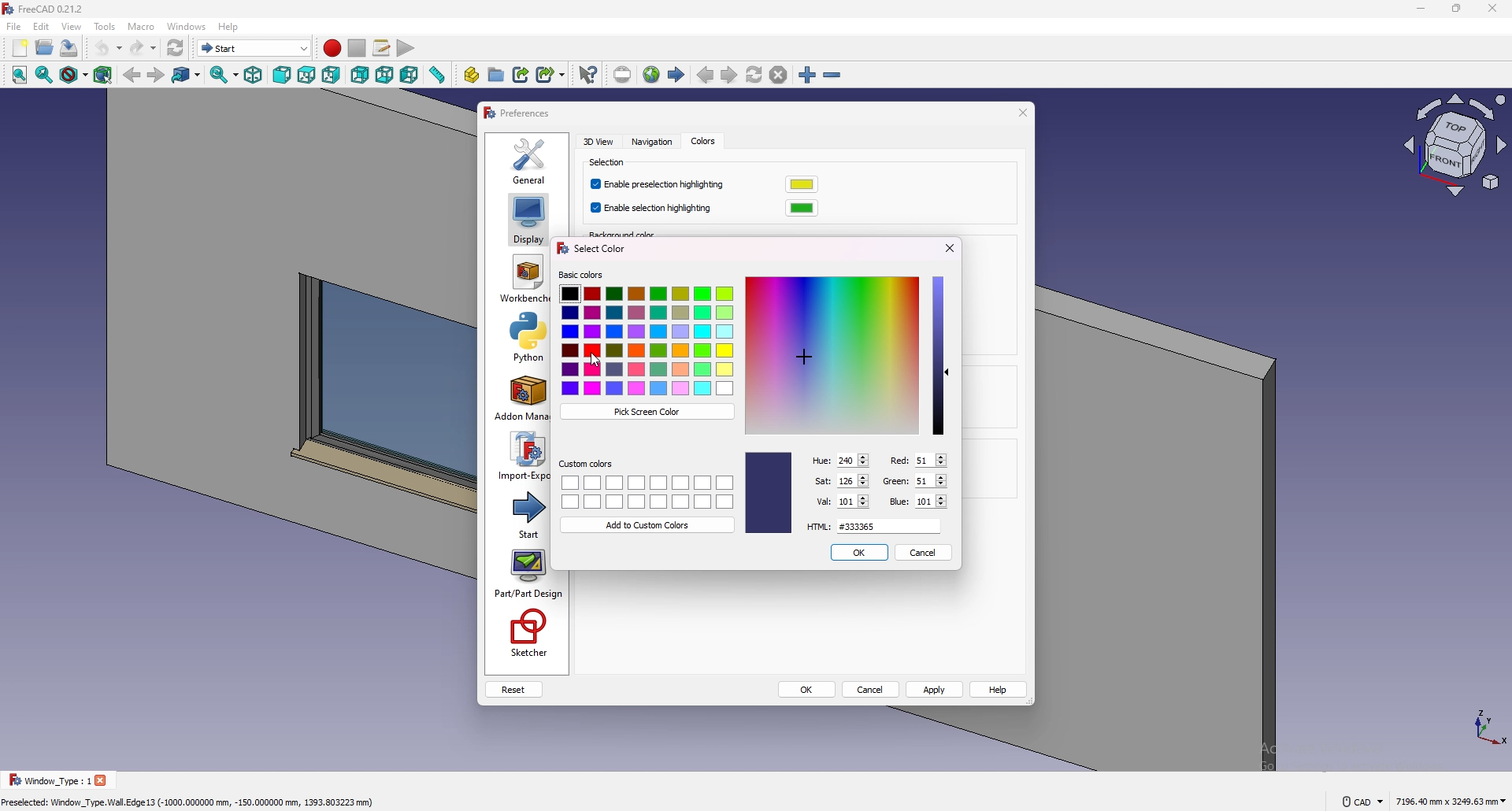 Image resolution: width=1512 pixels, height=811 pixels. Describe the element at coordinates (19, 48) in the screenshot. I see `new` at that location.